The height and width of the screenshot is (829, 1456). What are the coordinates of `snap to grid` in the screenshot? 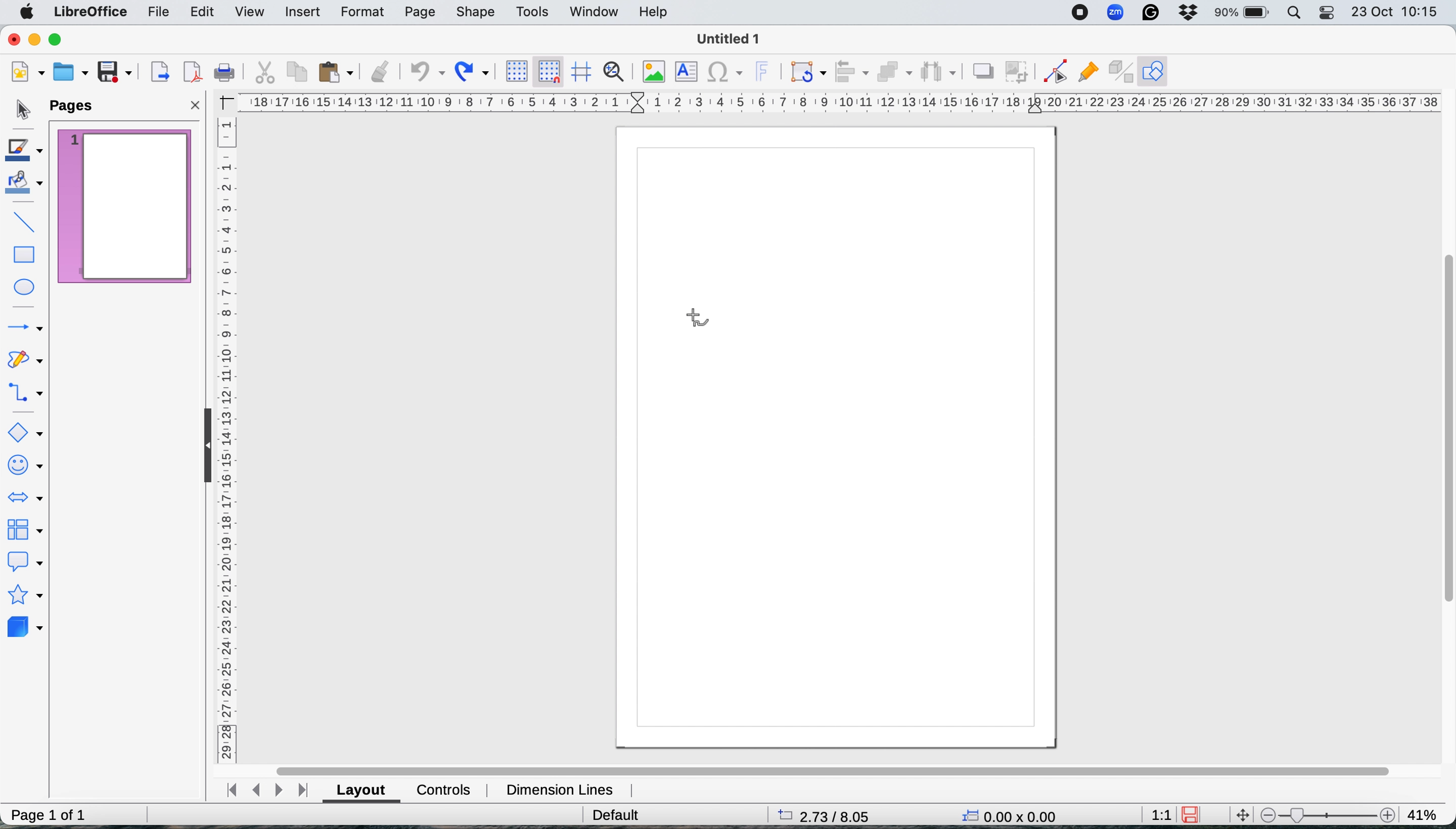 It's located at (549, 72).